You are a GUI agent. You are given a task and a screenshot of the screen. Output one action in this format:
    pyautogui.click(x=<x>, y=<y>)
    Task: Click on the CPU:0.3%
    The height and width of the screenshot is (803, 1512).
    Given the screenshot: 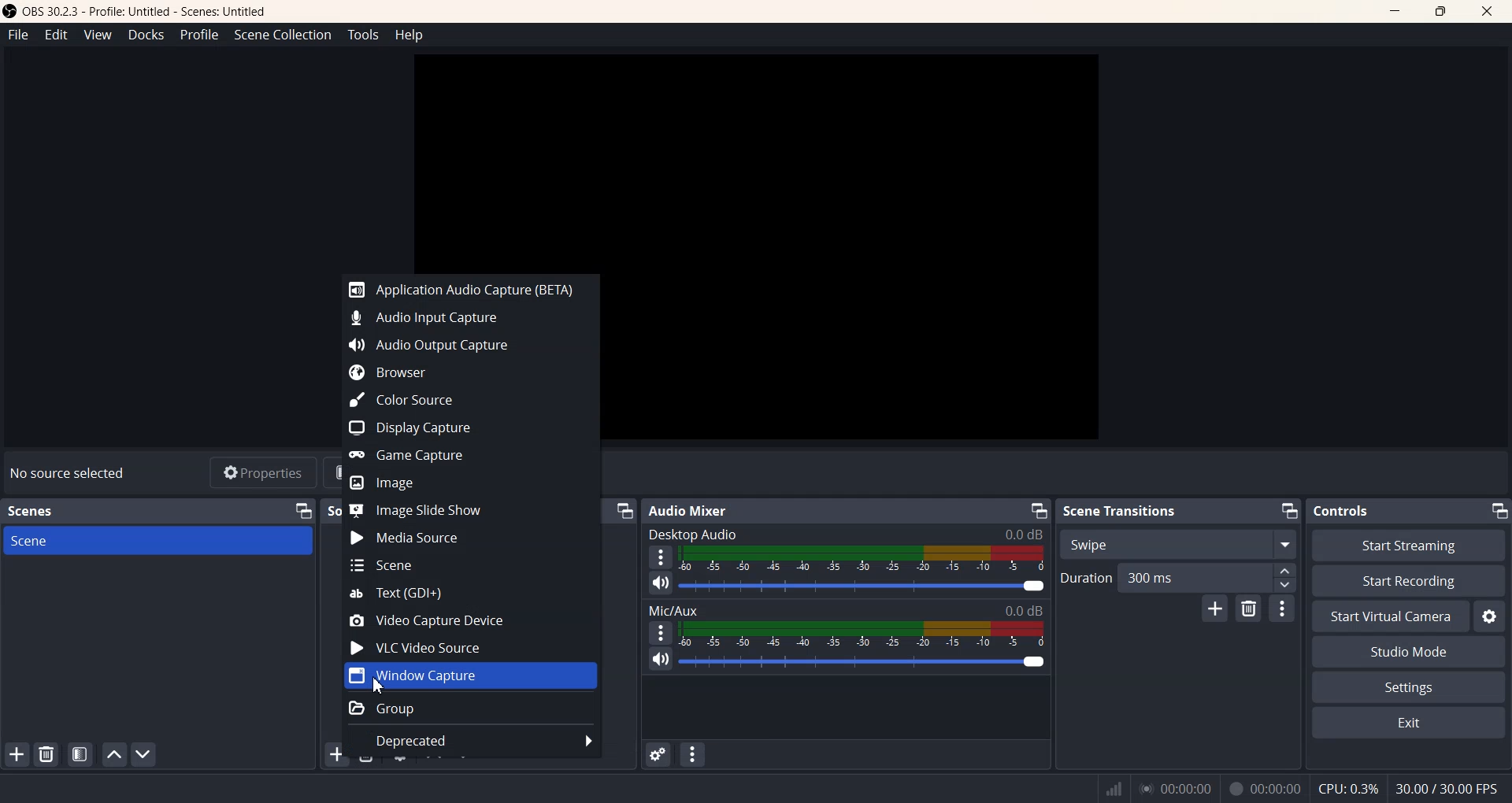 What is the action you would take?
    pyautogui.click(x=1347, y=787)
    